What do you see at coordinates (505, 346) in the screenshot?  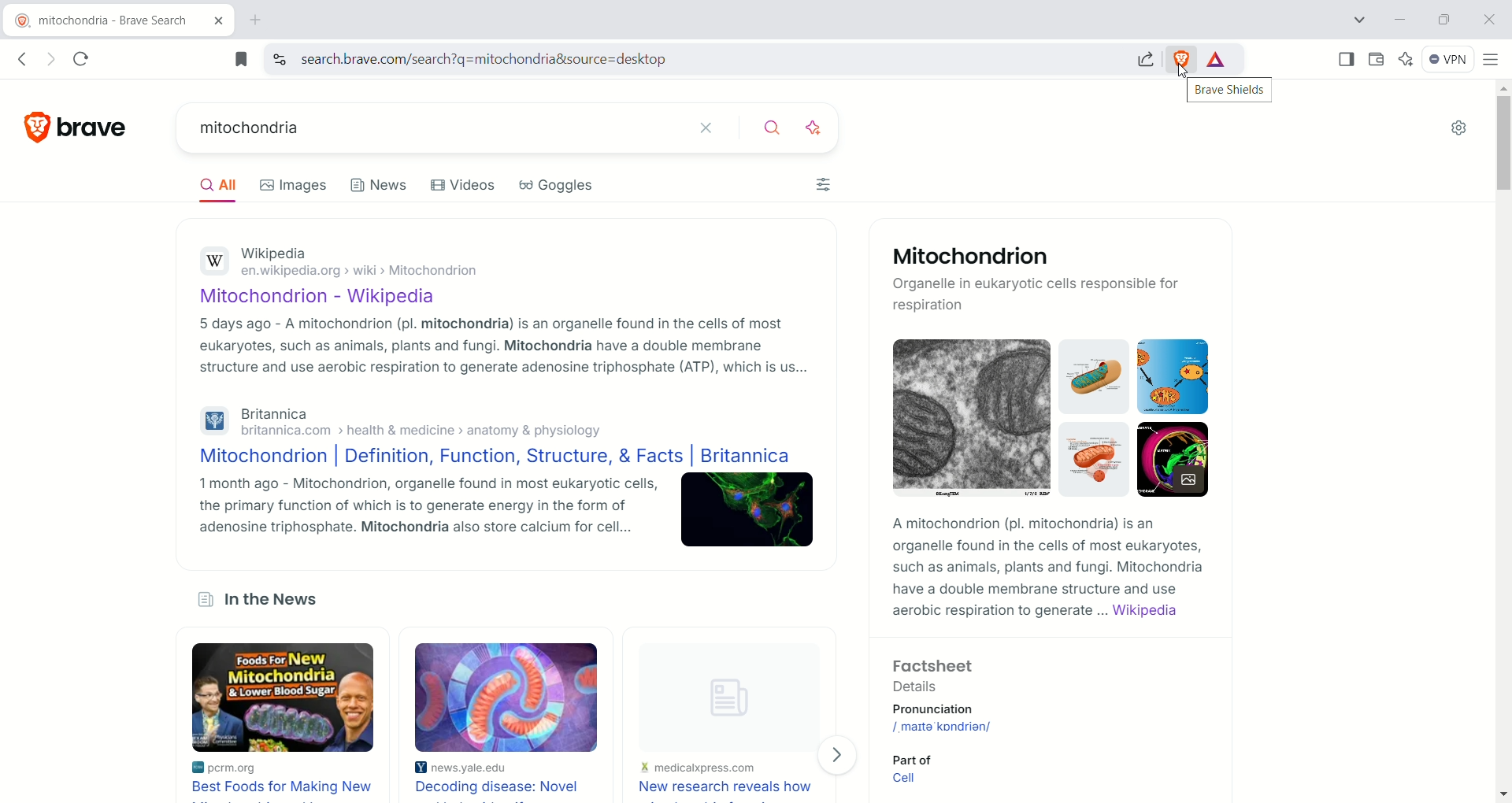 I see `5 days ago - A mitochondrion (pl. mitochondria) is an organelle found in the cells of most
eukaryotes, such as animals, plants and fungi. Mitochondria have a double membrane
structure and use aerobic respiration to generate adenosine triphosphate (ATP), which is us...` at bounding box center [505, 346].